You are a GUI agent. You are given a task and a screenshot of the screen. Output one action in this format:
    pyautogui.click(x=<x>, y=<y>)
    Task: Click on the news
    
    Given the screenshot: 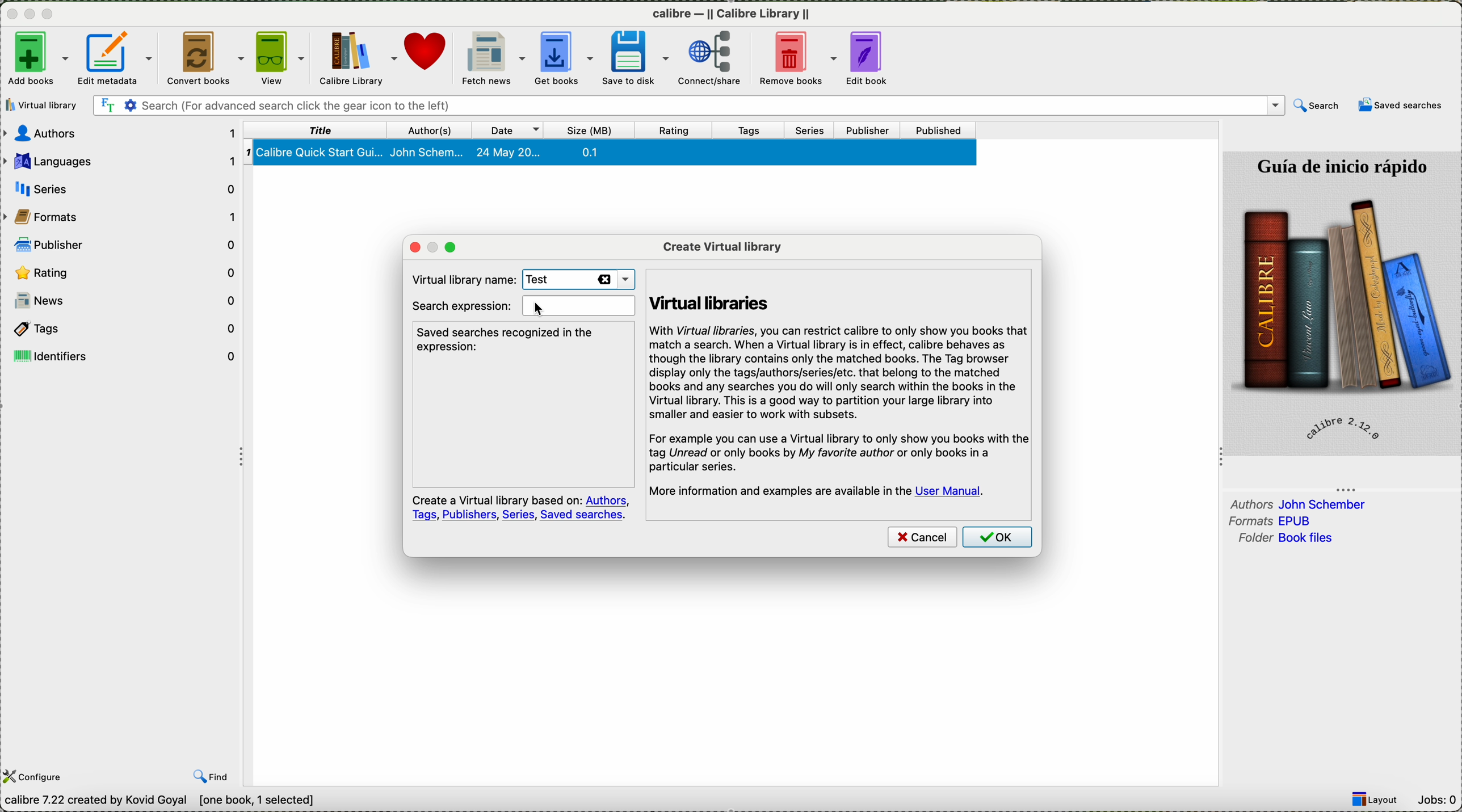 What is the action you would take?
    pyautogui.click(x=125, y=303)
    